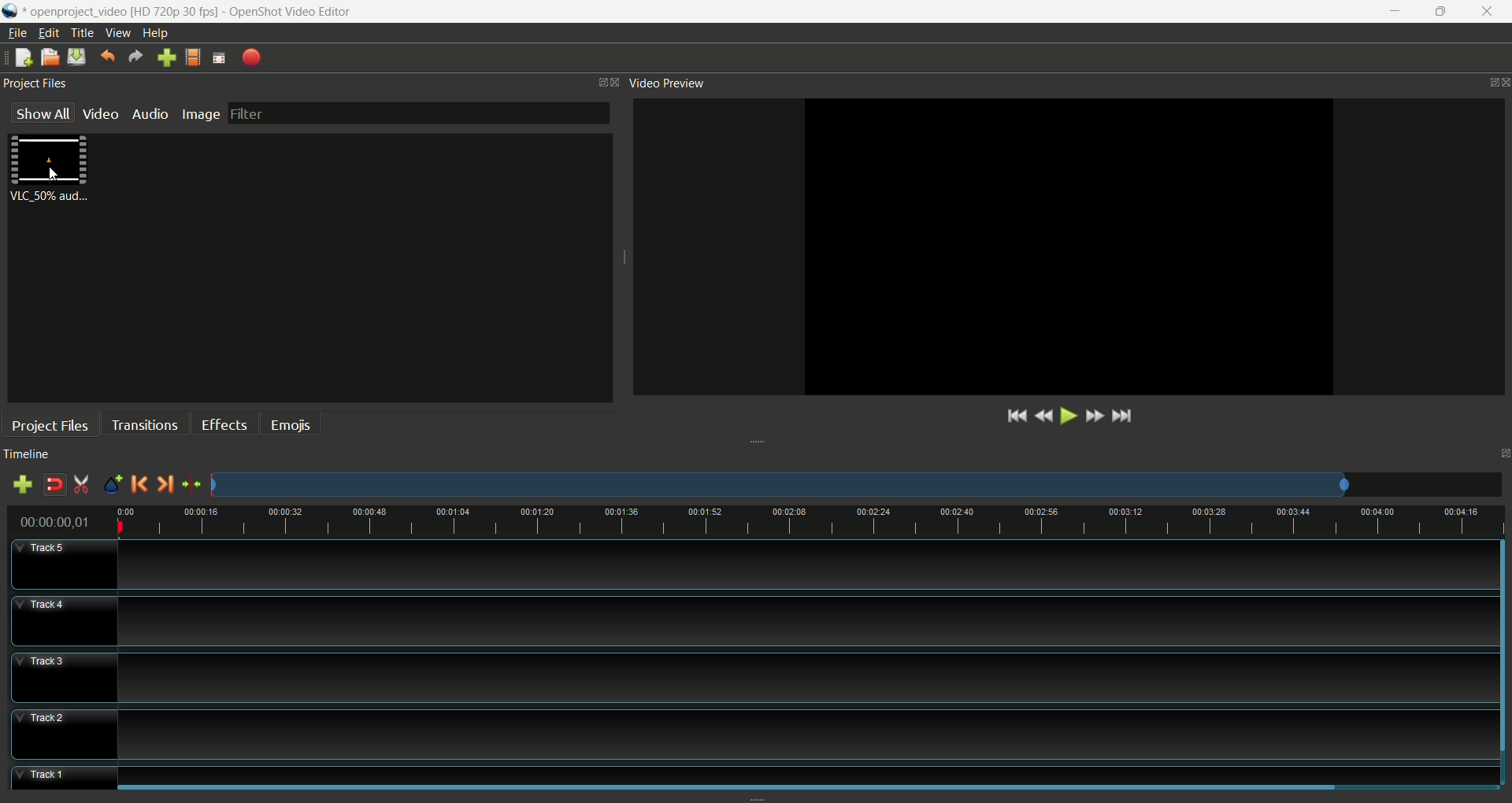  Describe the element at coordinates (50, 57) in the screenshot. I see `open project` at that location.